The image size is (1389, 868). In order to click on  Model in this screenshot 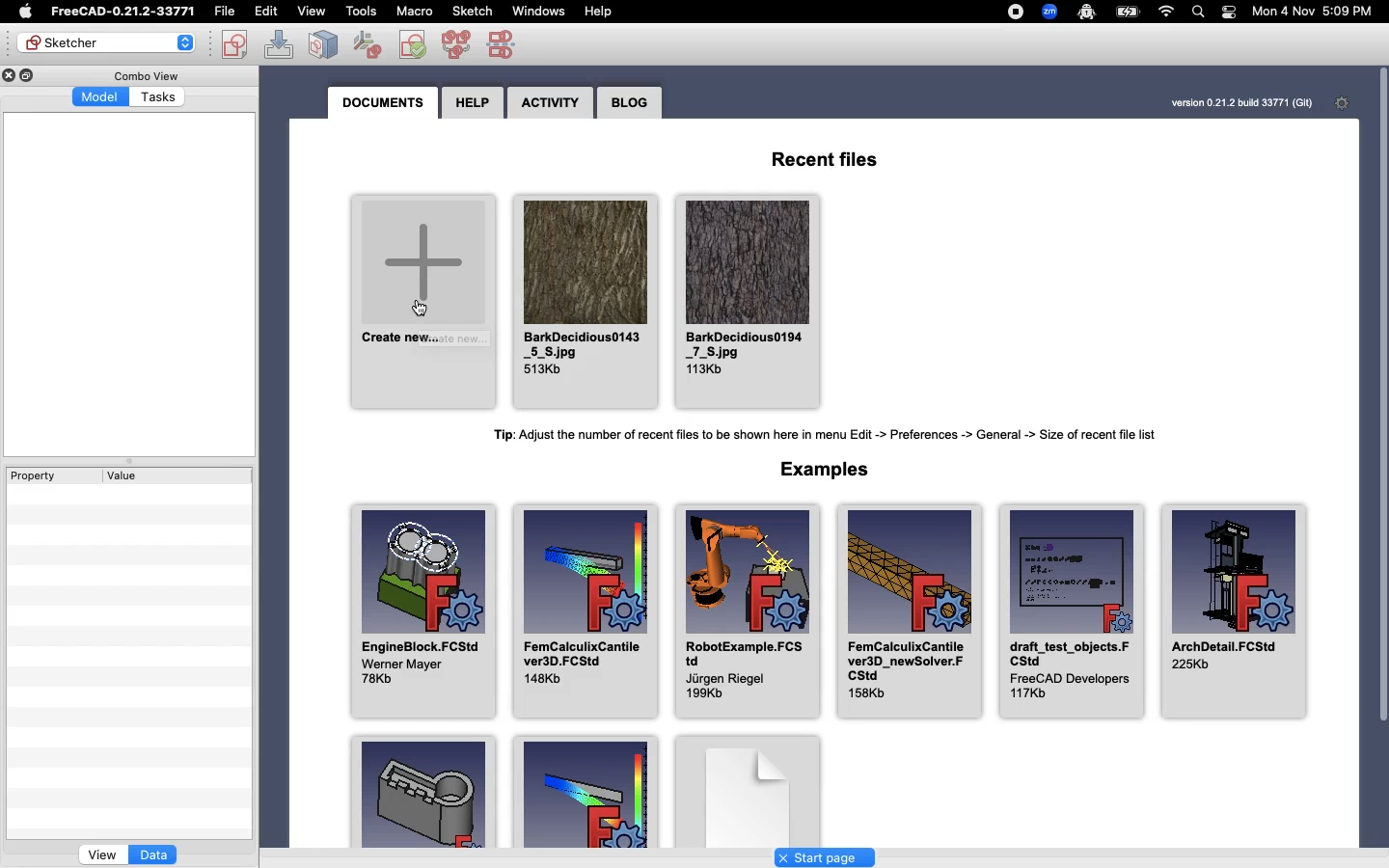, I will do `click(100, 96)`.